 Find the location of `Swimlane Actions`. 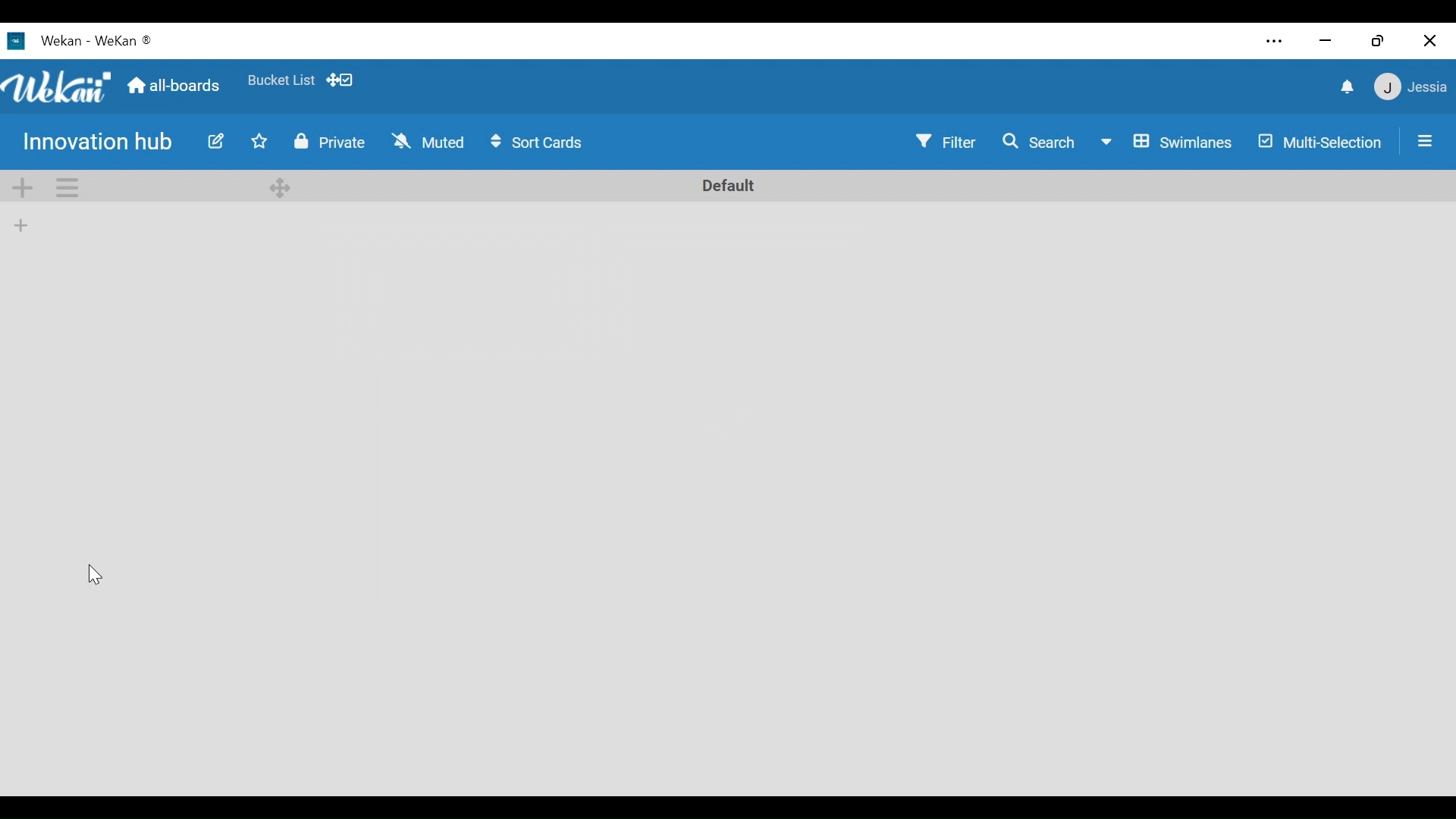

Swimlane Actions is located at coordinates (69, 188).